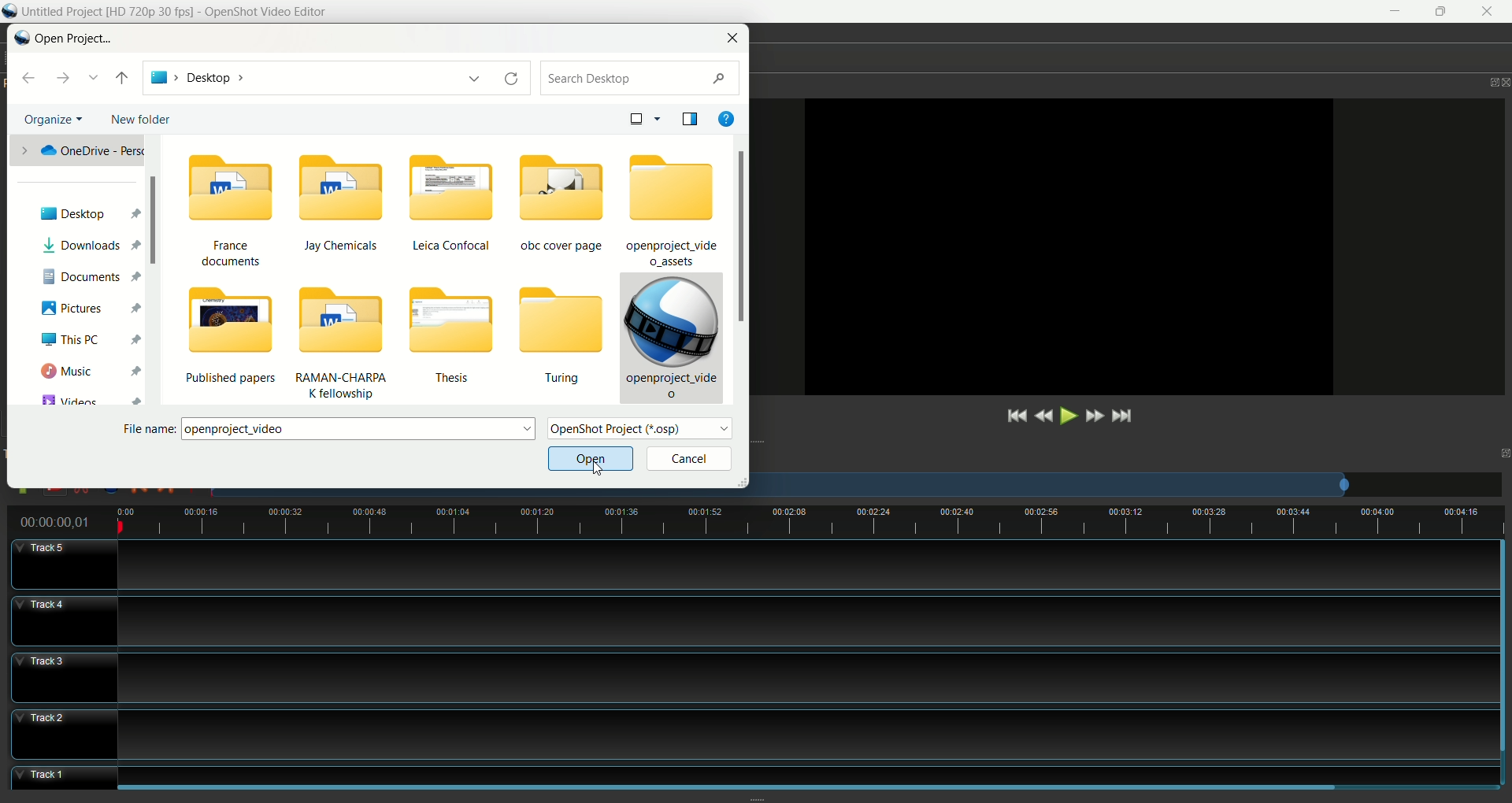 This screenshot has width=1512, height=803. Describe the element at coordinates (94, 276) in the screenshot. I see `documents` at that location.